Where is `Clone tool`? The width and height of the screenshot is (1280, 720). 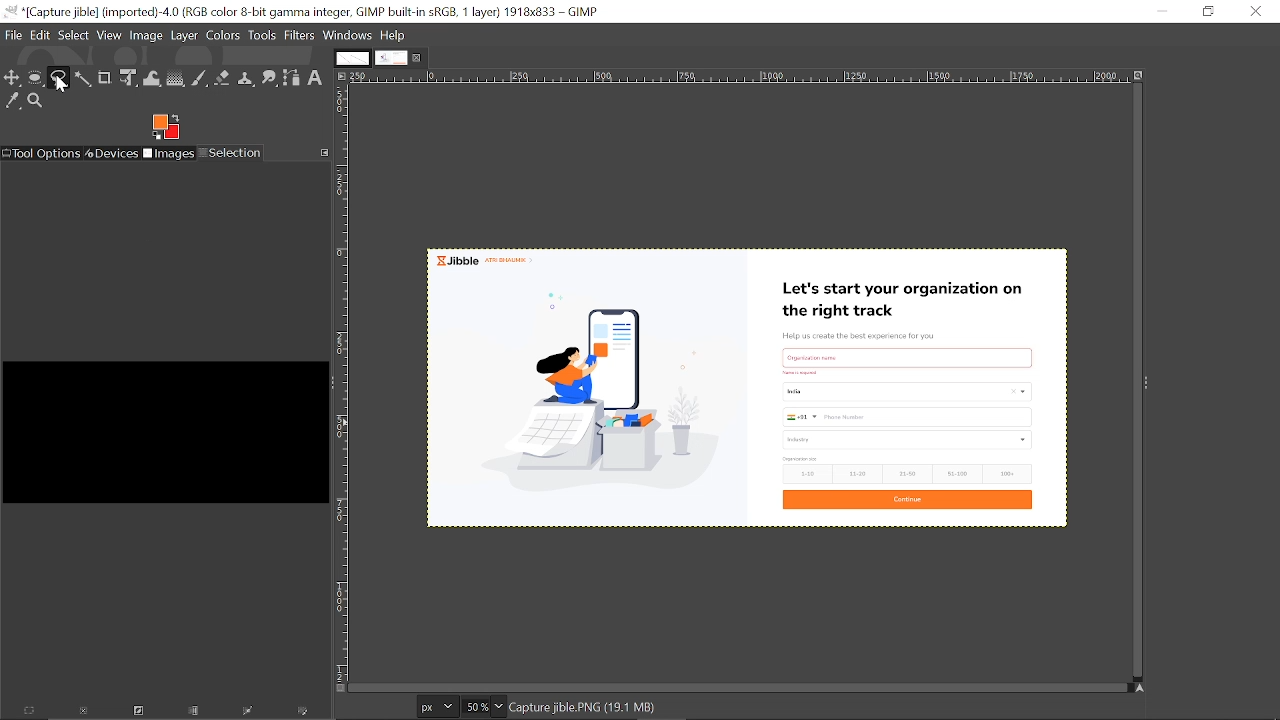
Clone tool is located at coordinates (247, 78).